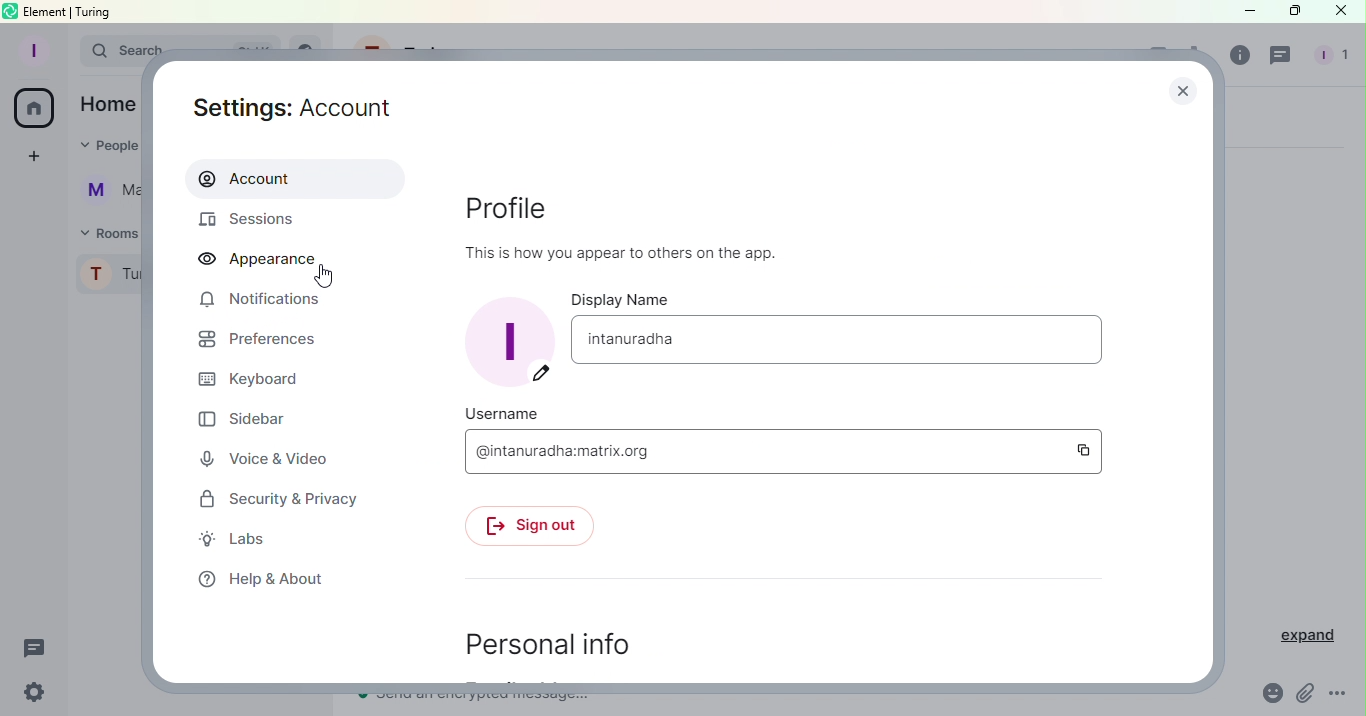  I want to click on Settings: Account, so click(291, 103).